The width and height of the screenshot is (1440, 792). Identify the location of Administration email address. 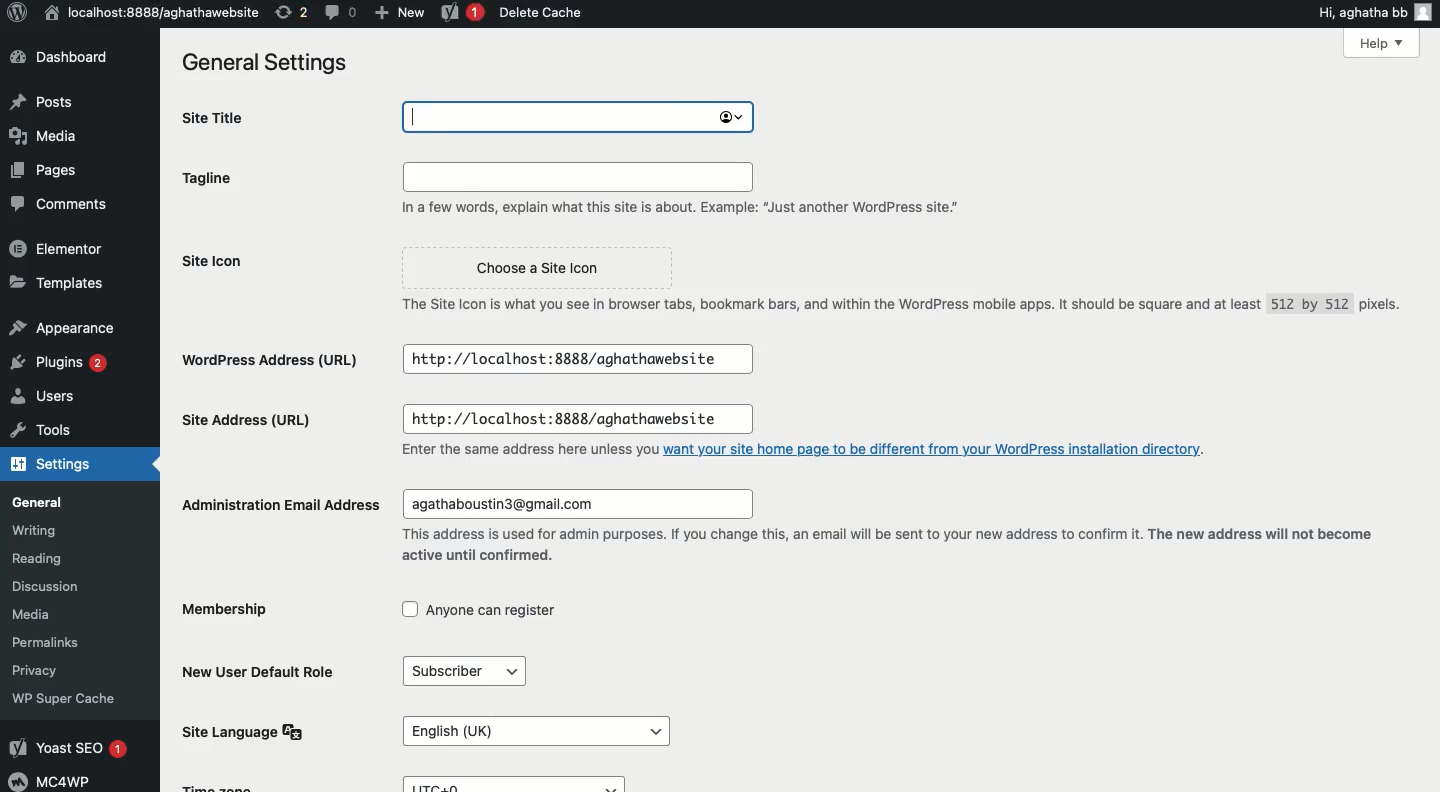
(278, 501).